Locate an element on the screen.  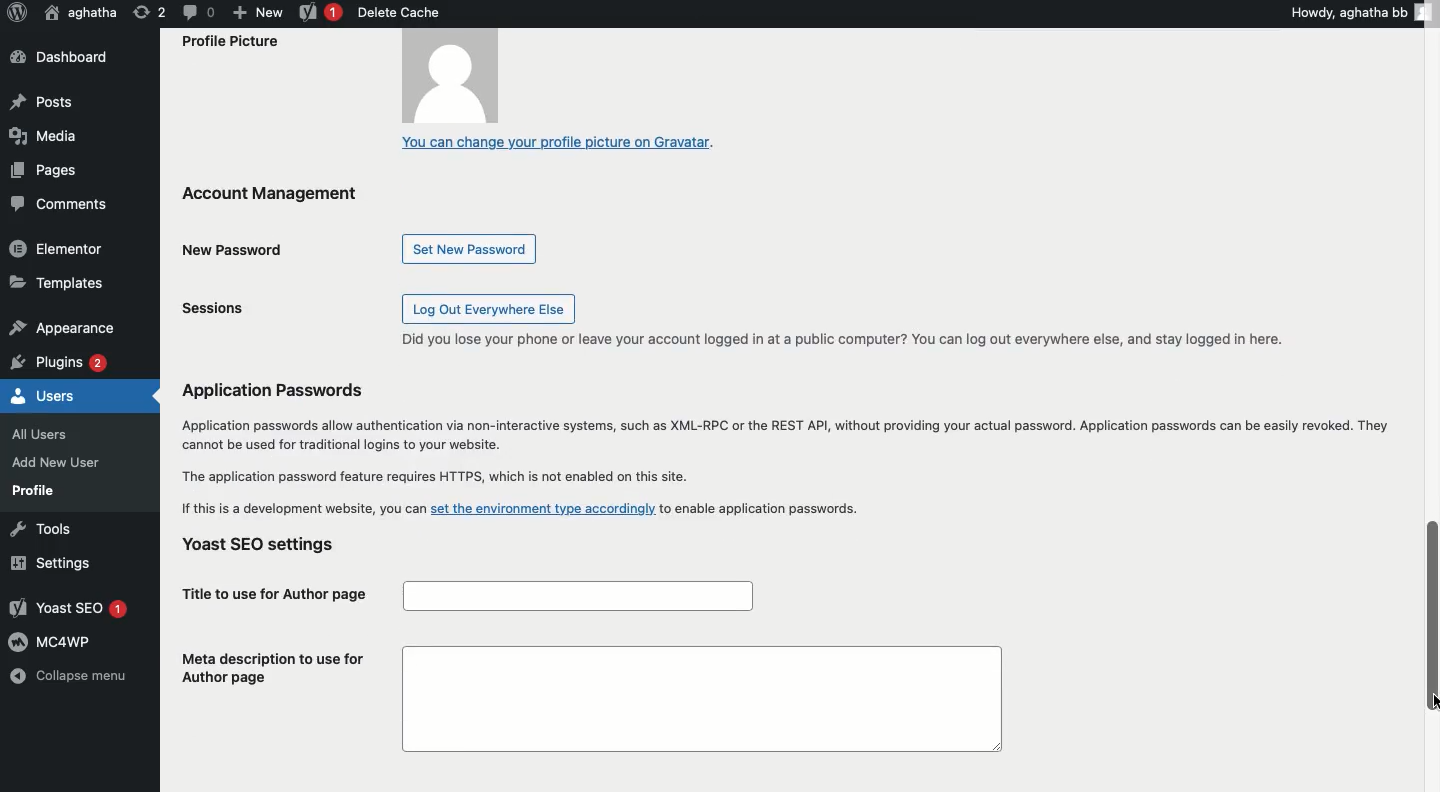
Meta description to use for author page is located at coordinates (584, 699).